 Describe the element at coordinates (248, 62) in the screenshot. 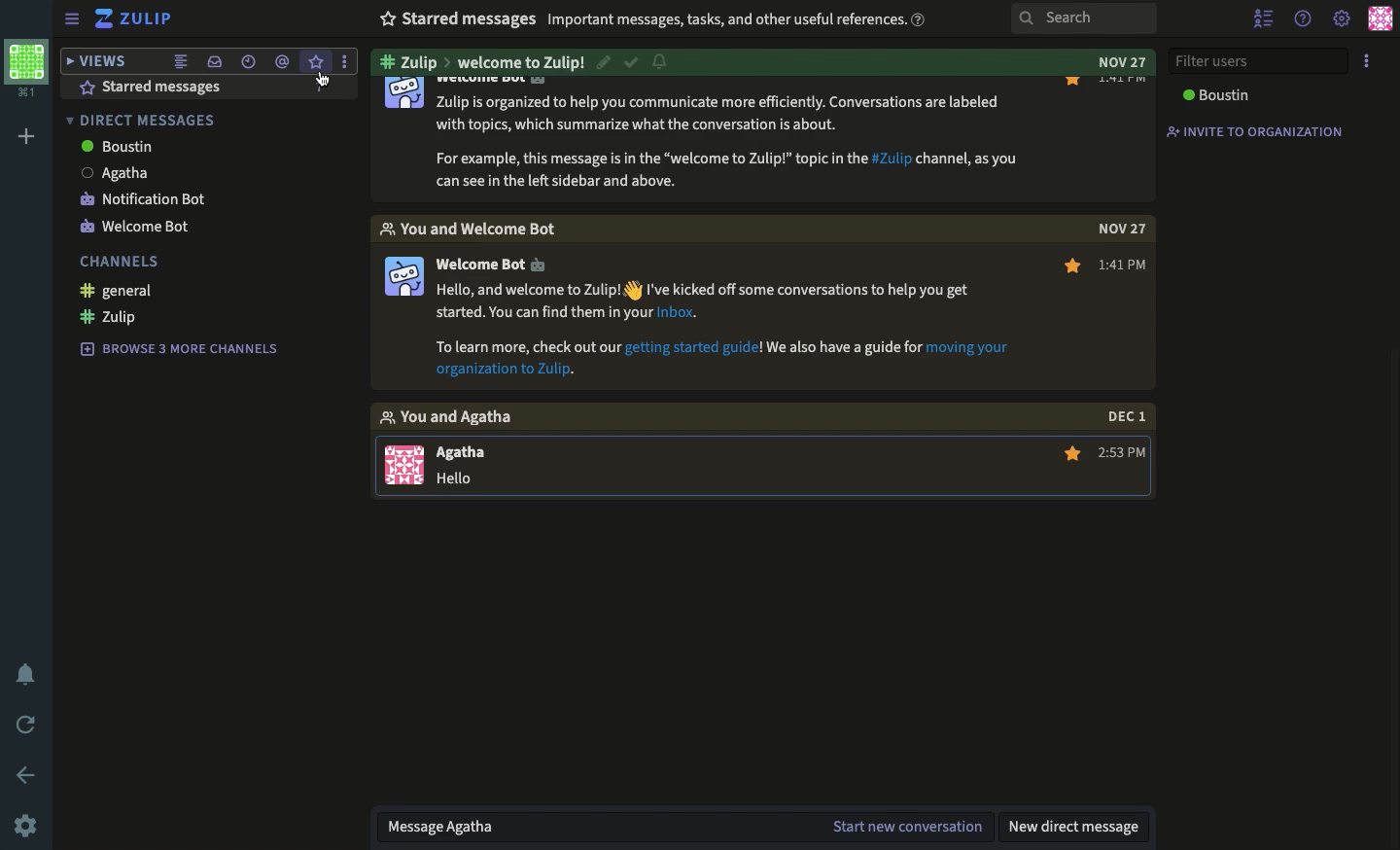

I see `recent conversations` at that location.